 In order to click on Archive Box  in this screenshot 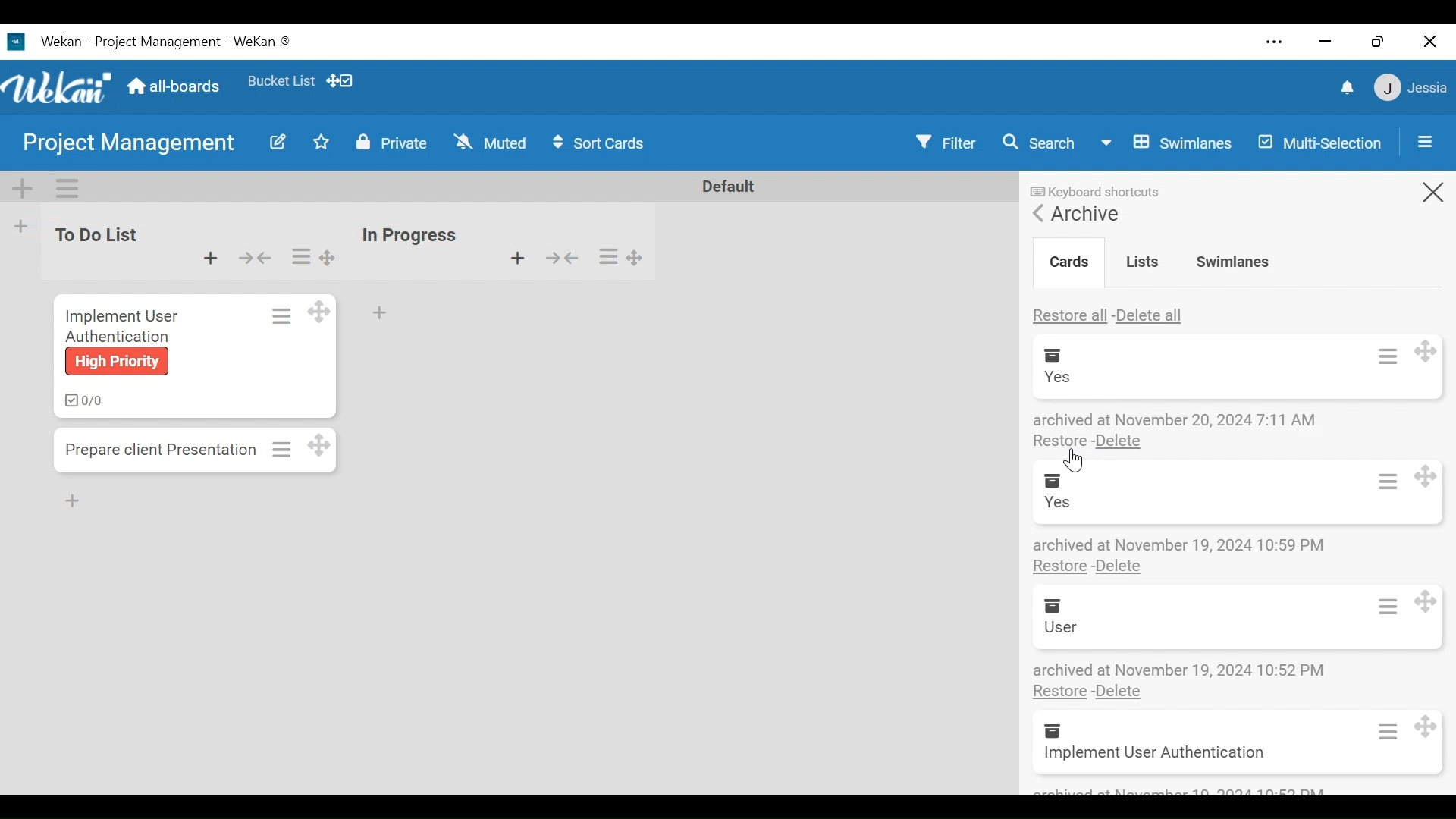, I will do `click(1047, 606)`.